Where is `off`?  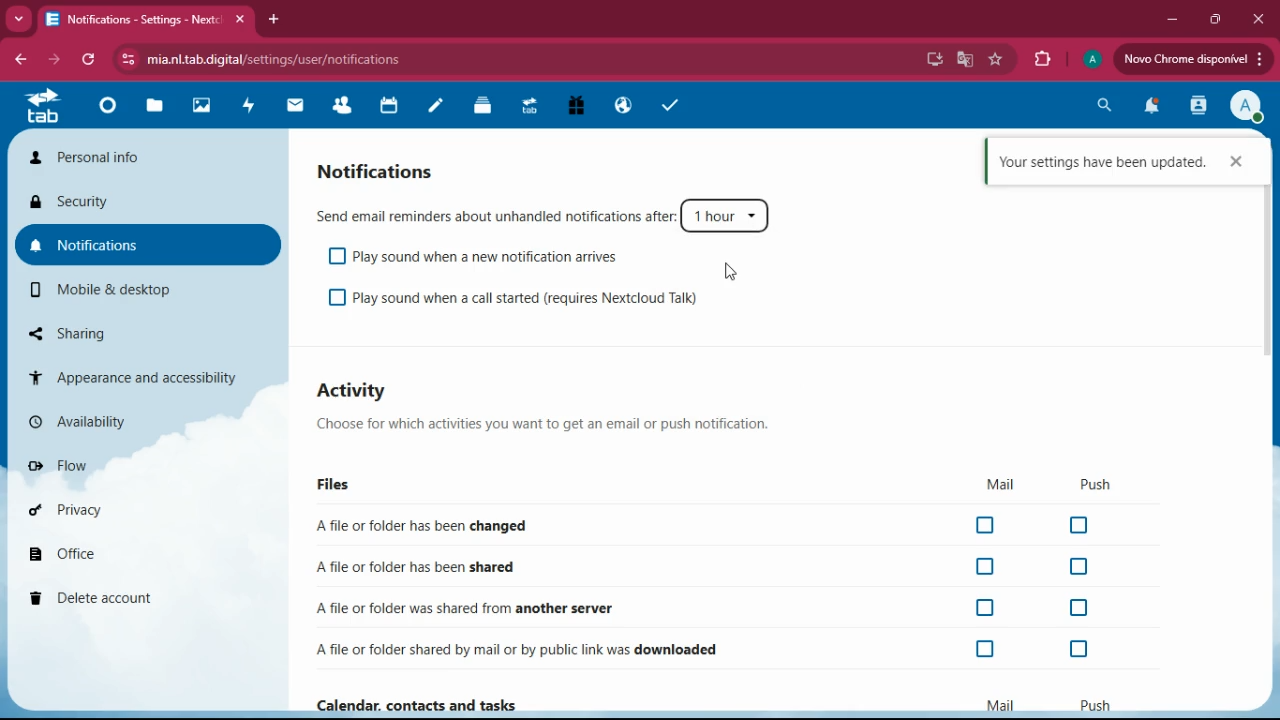 off is located at coordinates (1079, 565).